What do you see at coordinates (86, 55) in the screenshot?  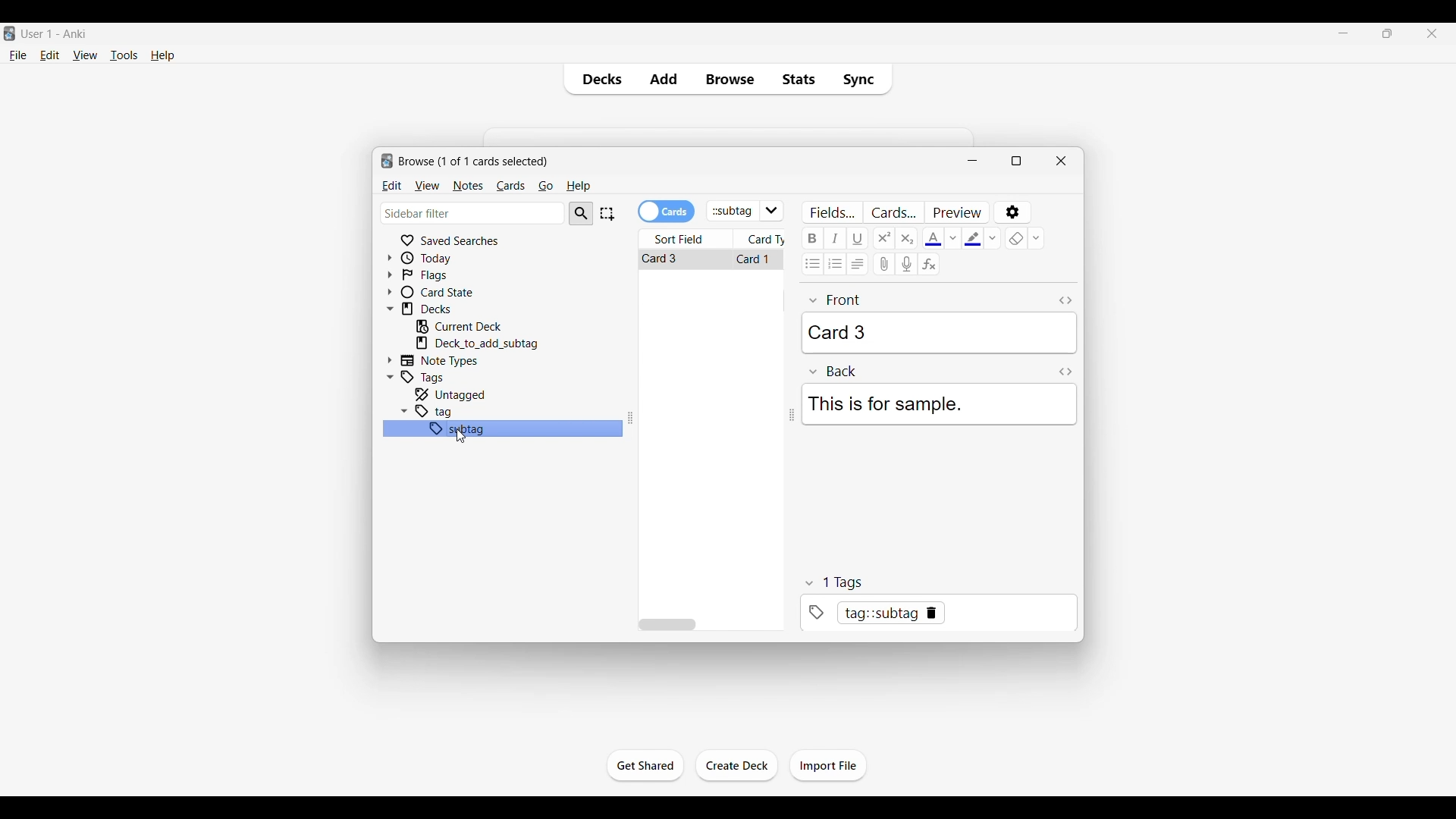 I see `View menu` at bounding box center [86, 55].